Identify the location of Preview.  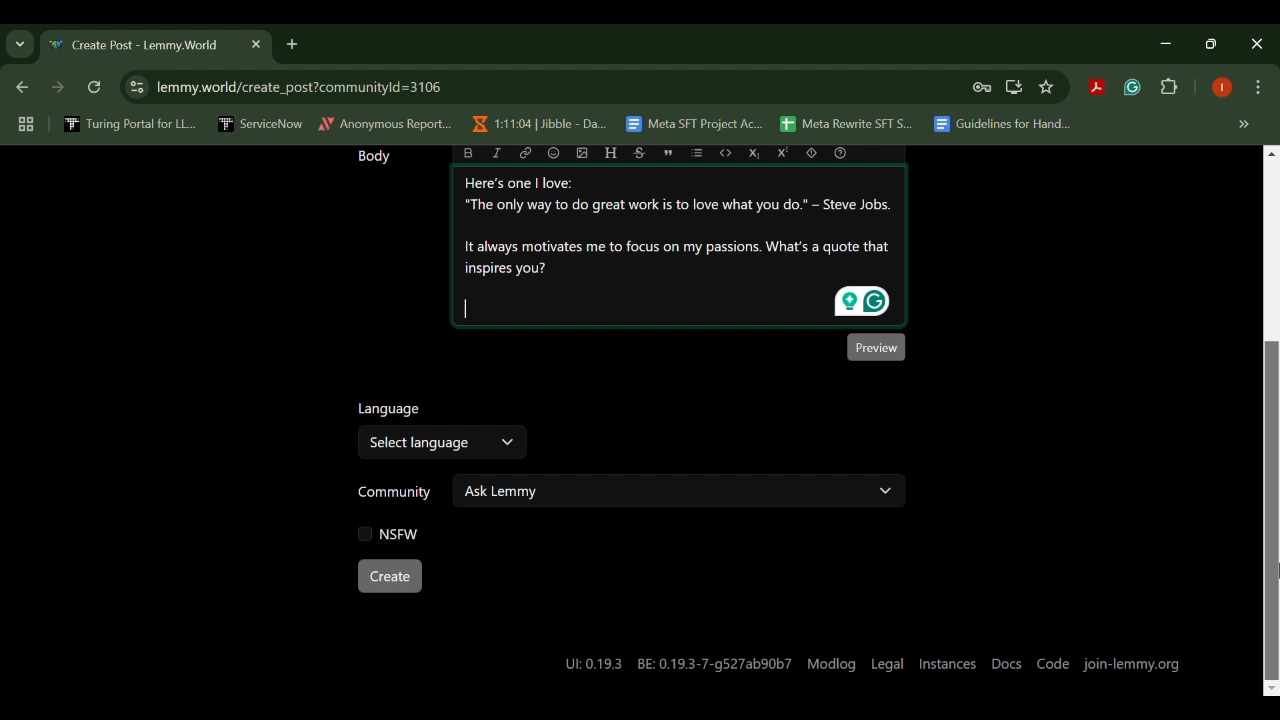
(875, 346).